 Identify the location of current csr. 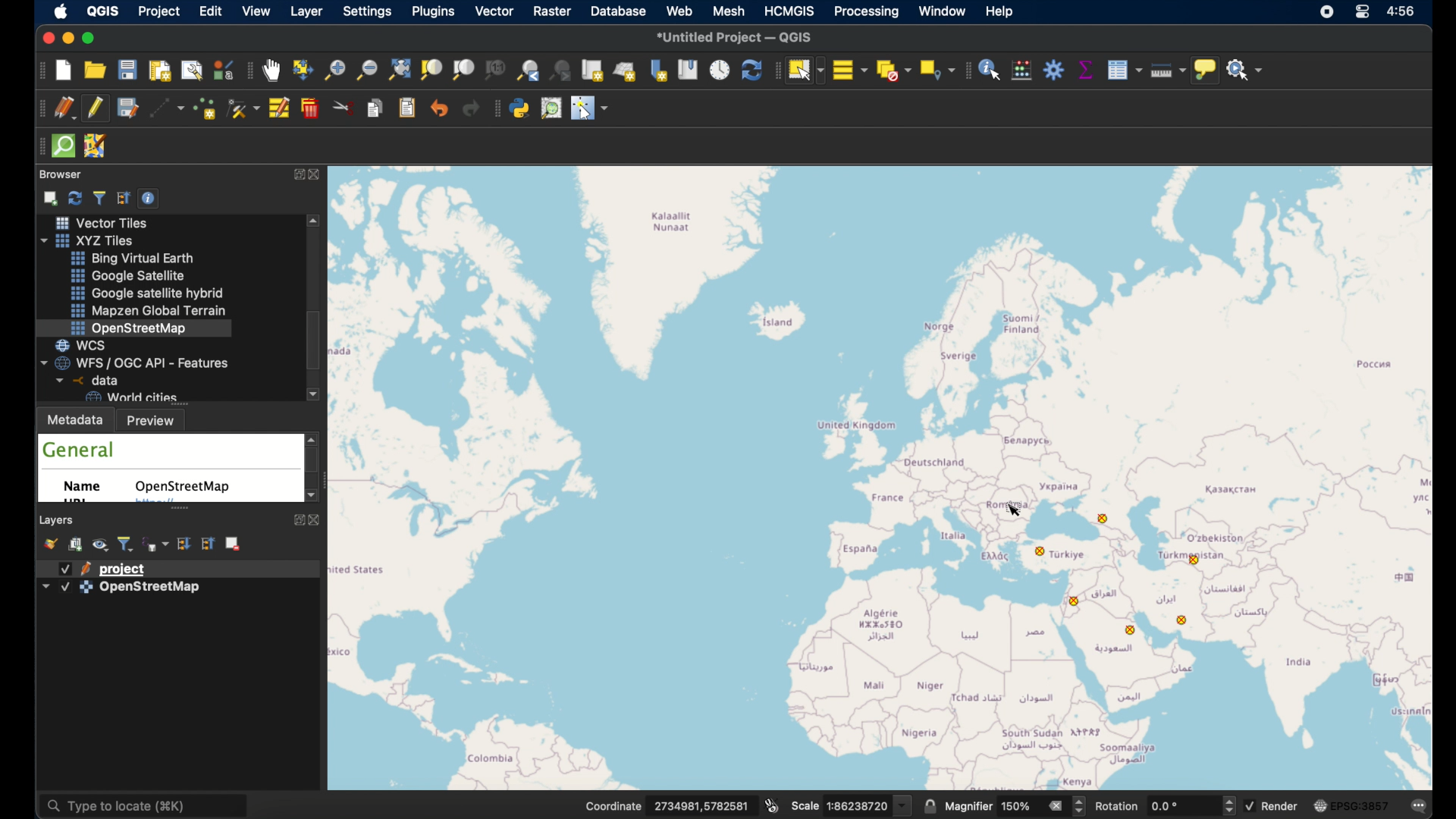
(1350, 806).